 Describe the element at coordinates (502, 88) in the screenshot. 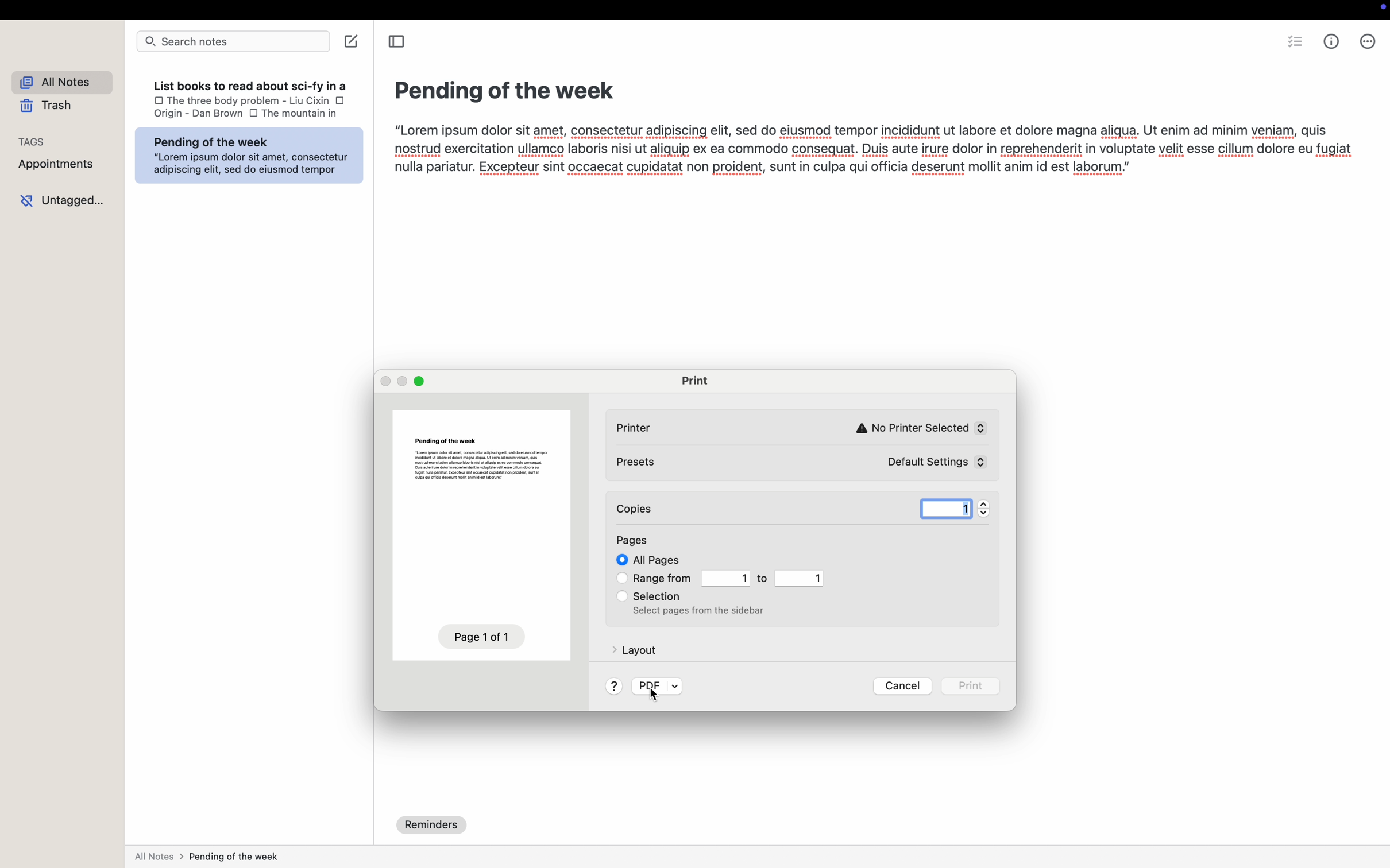

I see ` Pending of the week` at that location.